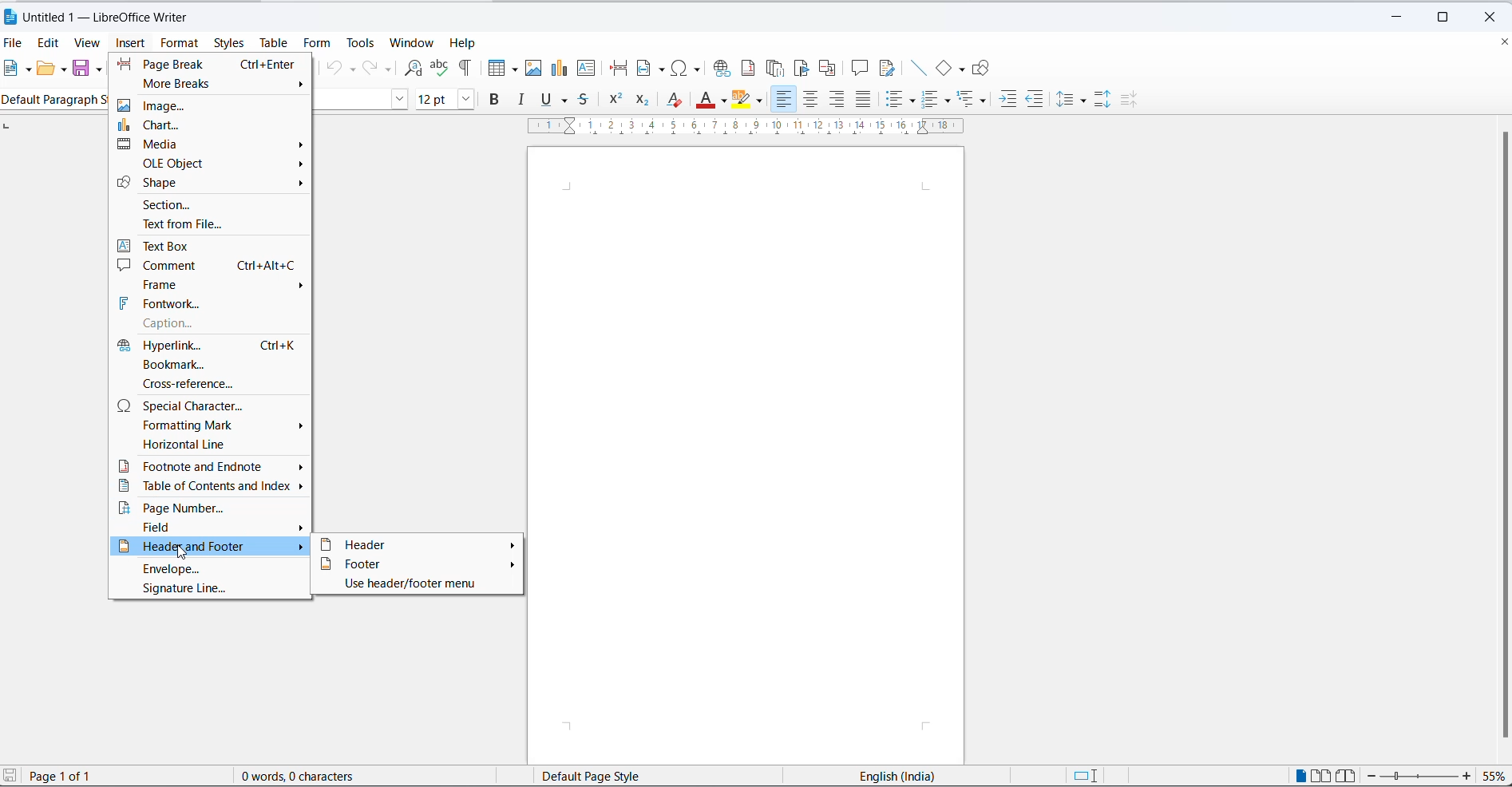 The height and width of the screenshot is (787, 1512). Describe the element at coordinates (212, 425) in the screenshot. I see `formatting mark` at that location.